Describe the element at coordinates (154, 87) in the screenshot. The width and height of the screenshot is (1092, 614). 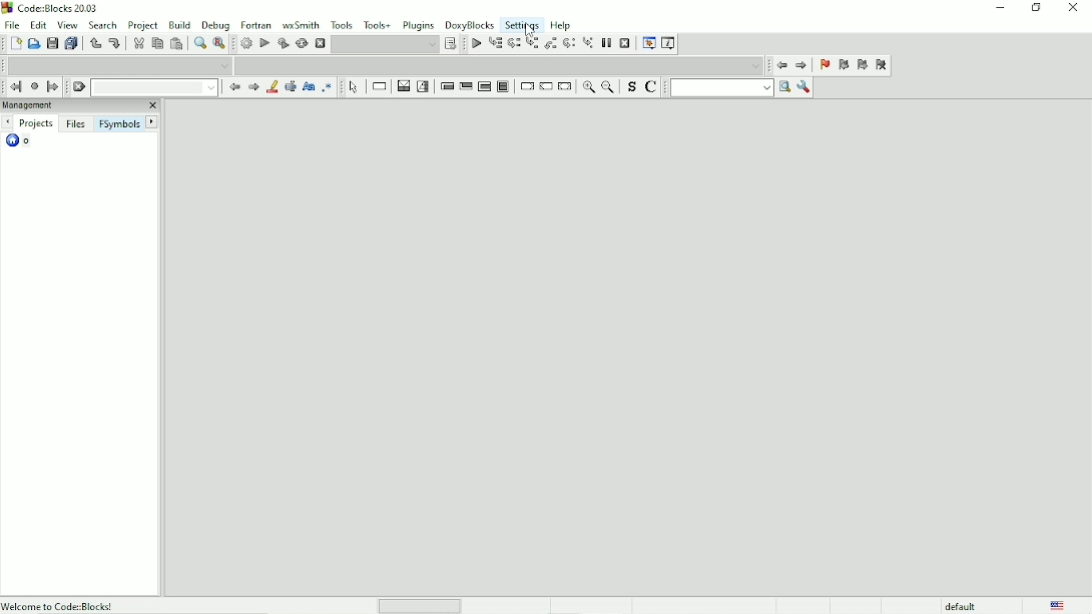
I see `Drop down` at that location.